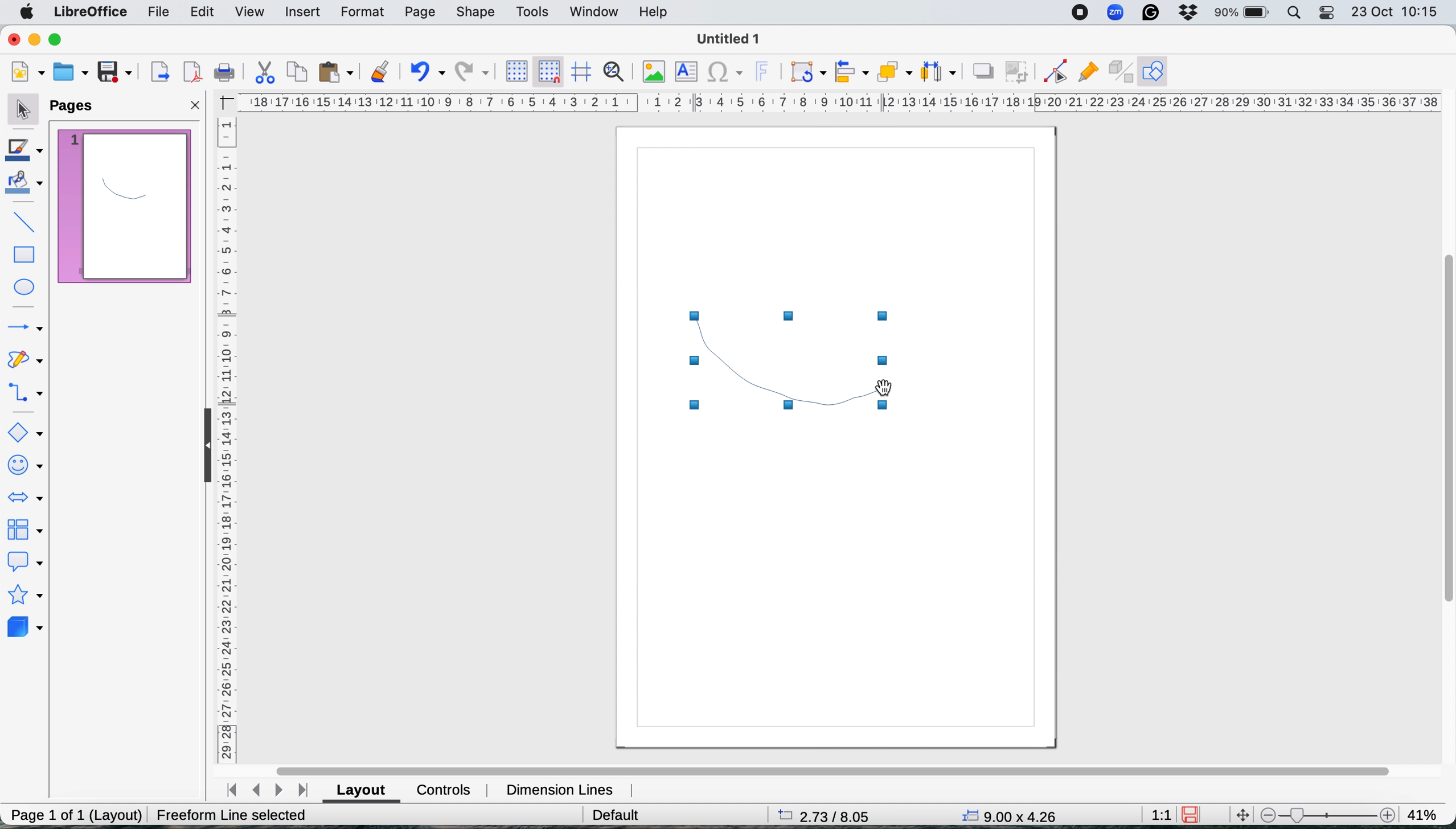 Image resolution: width=1456 pixels, height=829 pixels. I want to click on collapse, so click(202, 452).